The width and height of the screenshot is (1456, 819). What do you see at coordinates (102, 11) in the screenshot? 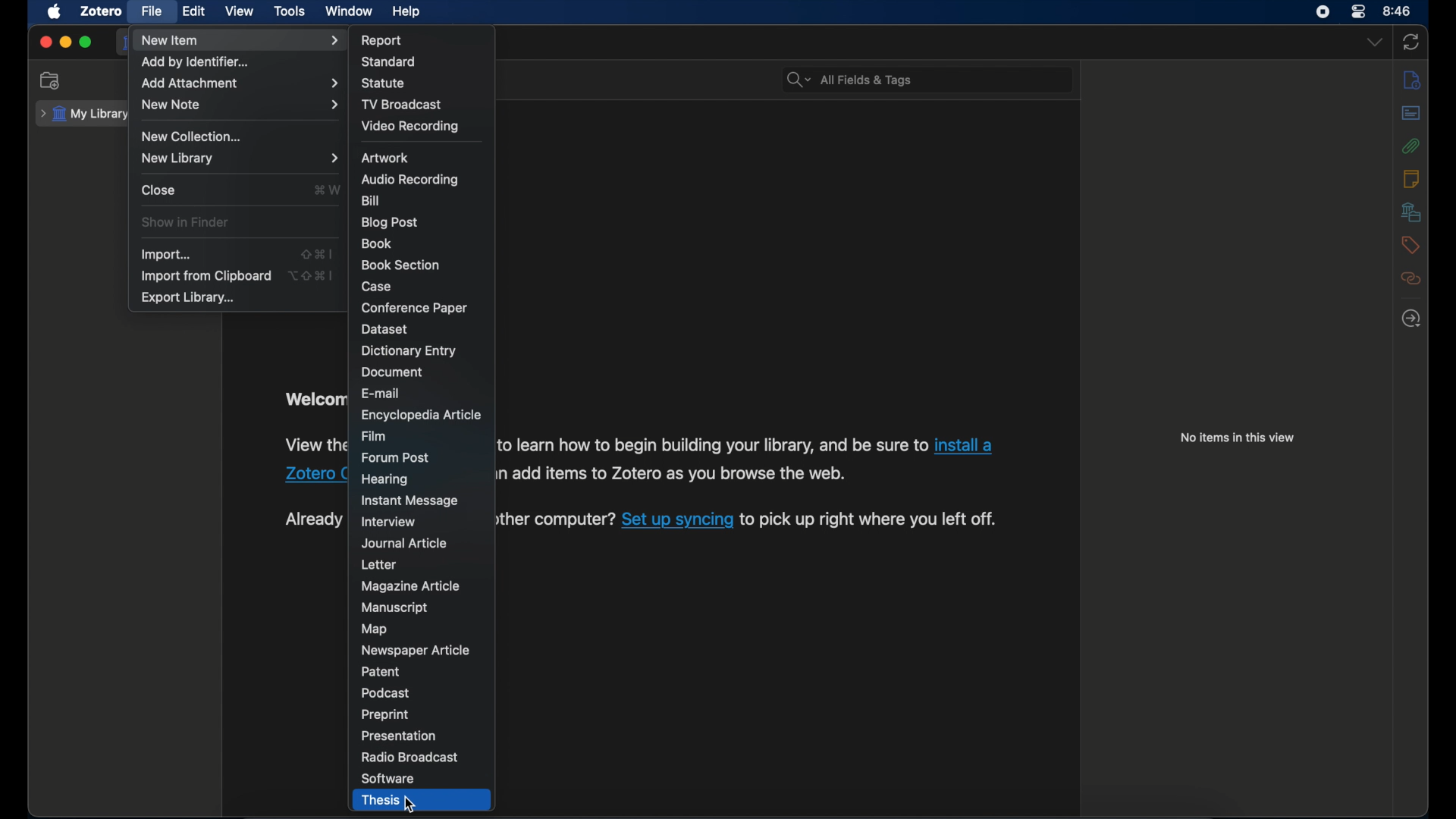
I see `zotero` at bounding box center [102, 11].